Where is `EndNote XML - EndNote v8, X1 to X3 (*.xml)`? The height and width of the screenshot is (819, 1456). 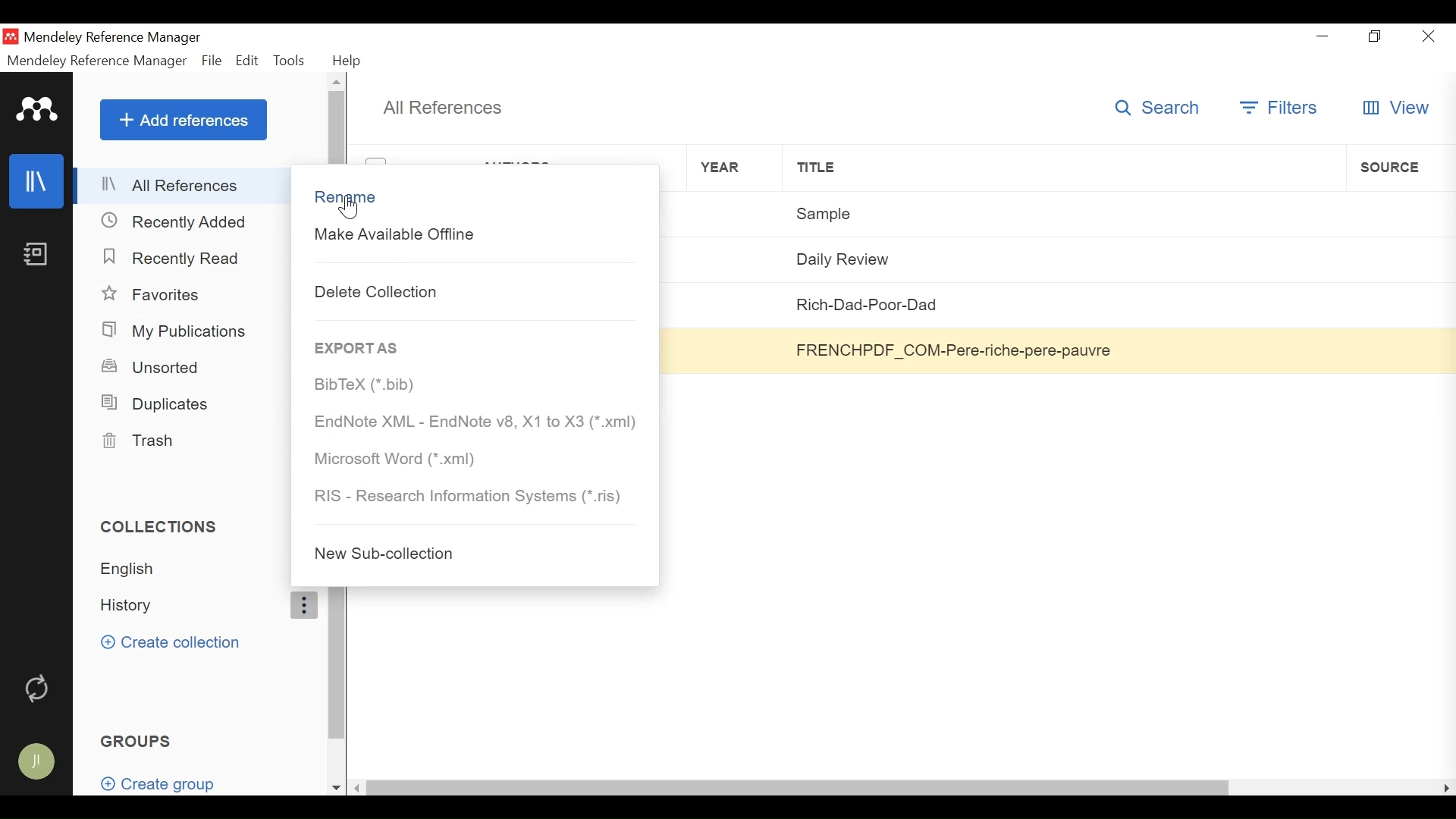 EndNote XML - EndNote v8, X1 to X3 (*.xml) is located at coordinates (474, 423).